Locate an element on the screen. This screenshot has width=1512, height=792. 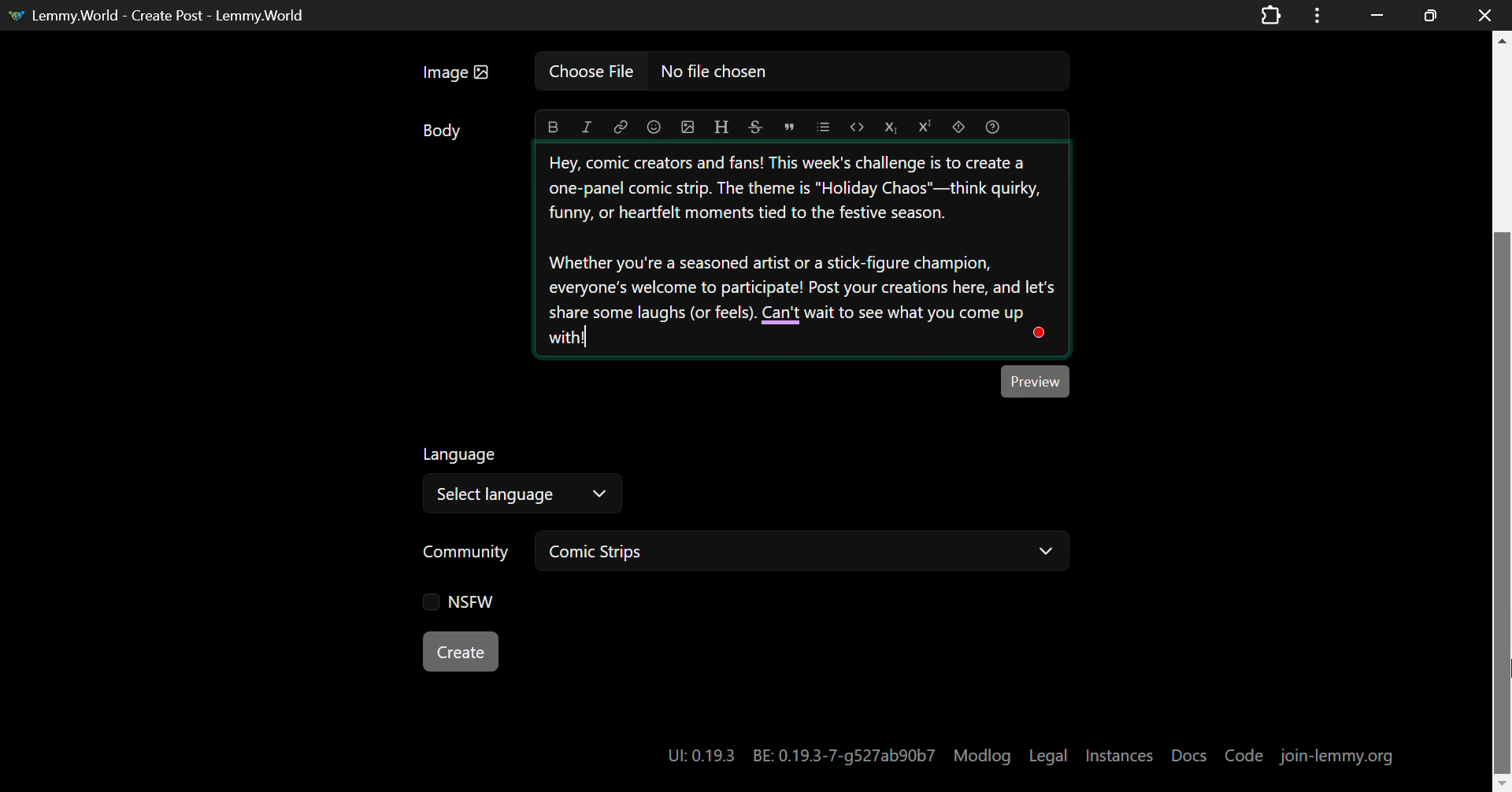
Restore Down is located at coordinates (1377, 13).